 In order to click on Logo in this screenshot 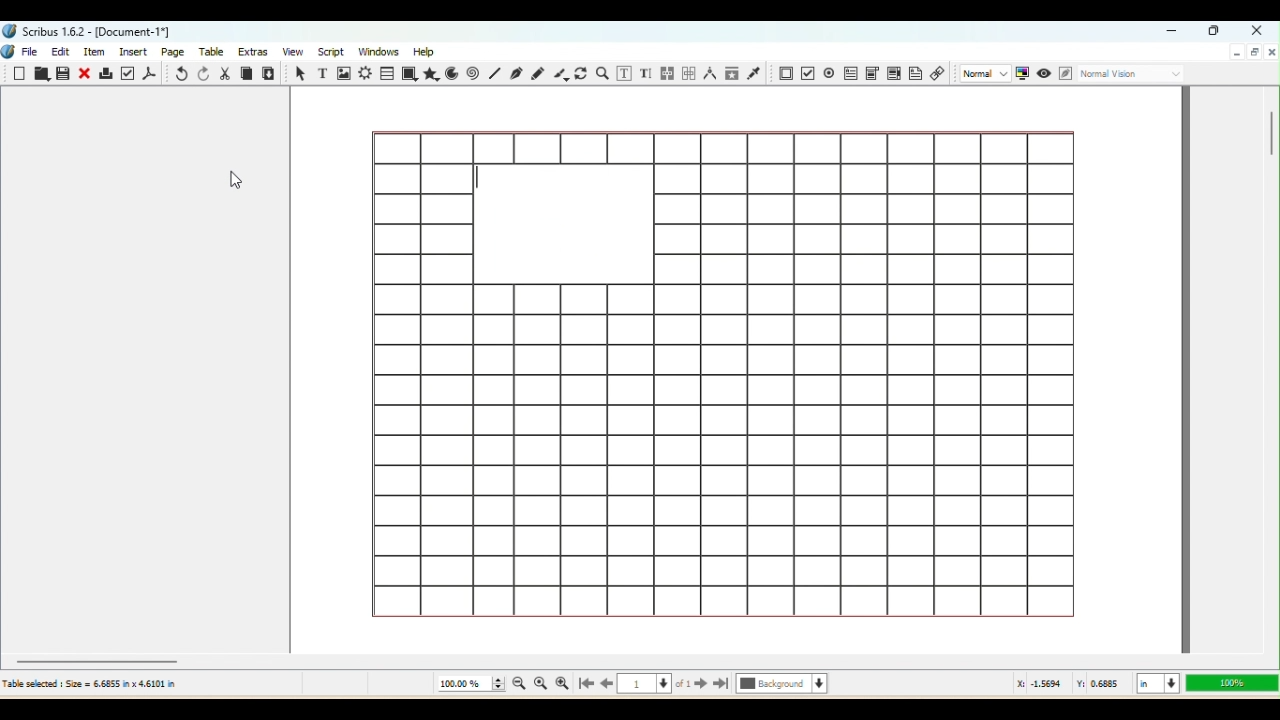, I will do `click(9, 53)`.